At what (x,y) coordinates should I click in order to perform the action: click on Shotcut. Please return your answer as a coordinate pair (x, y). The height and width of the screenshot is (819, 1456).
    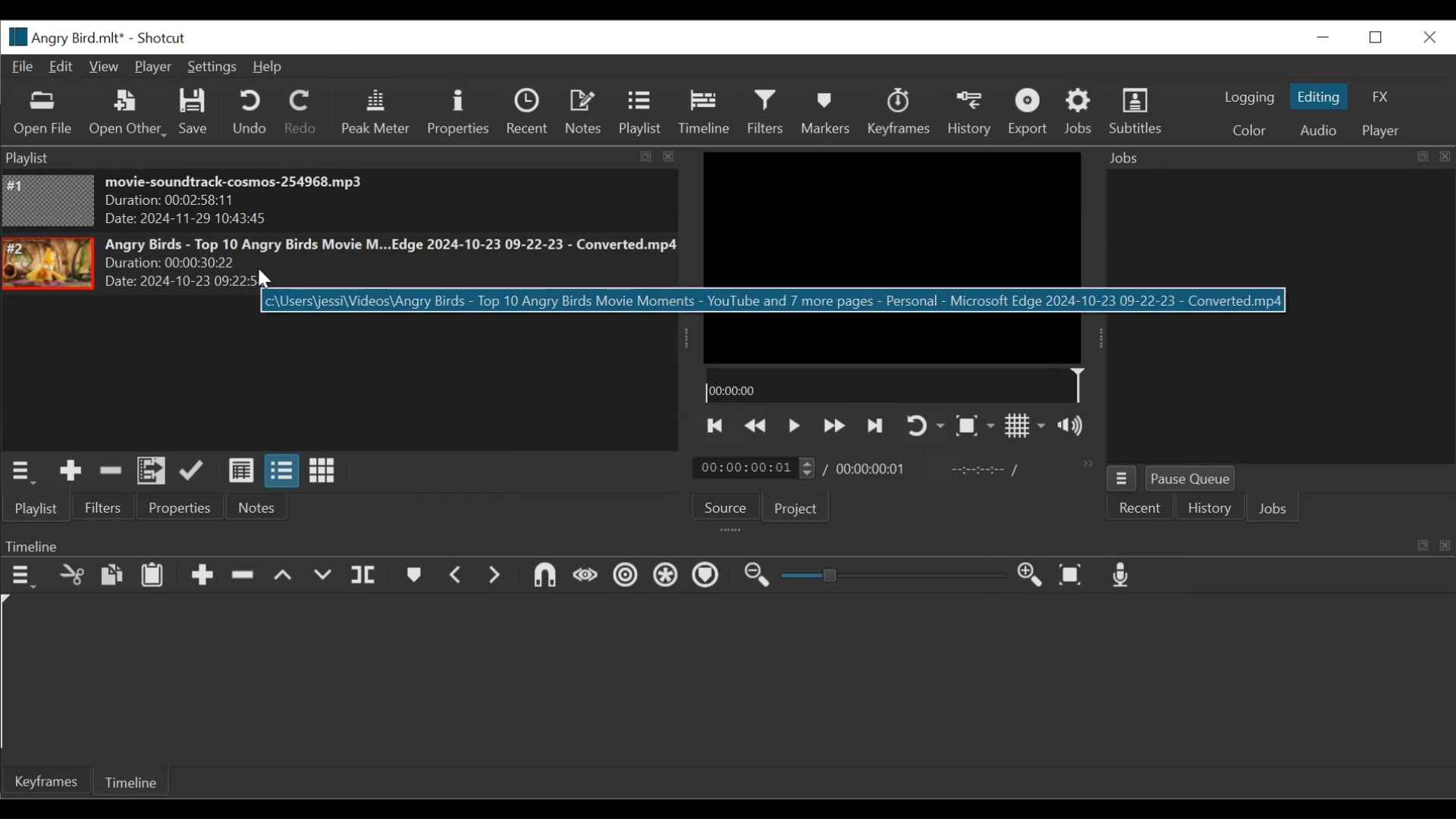
    Looking at the image, I should click on (165, 38).